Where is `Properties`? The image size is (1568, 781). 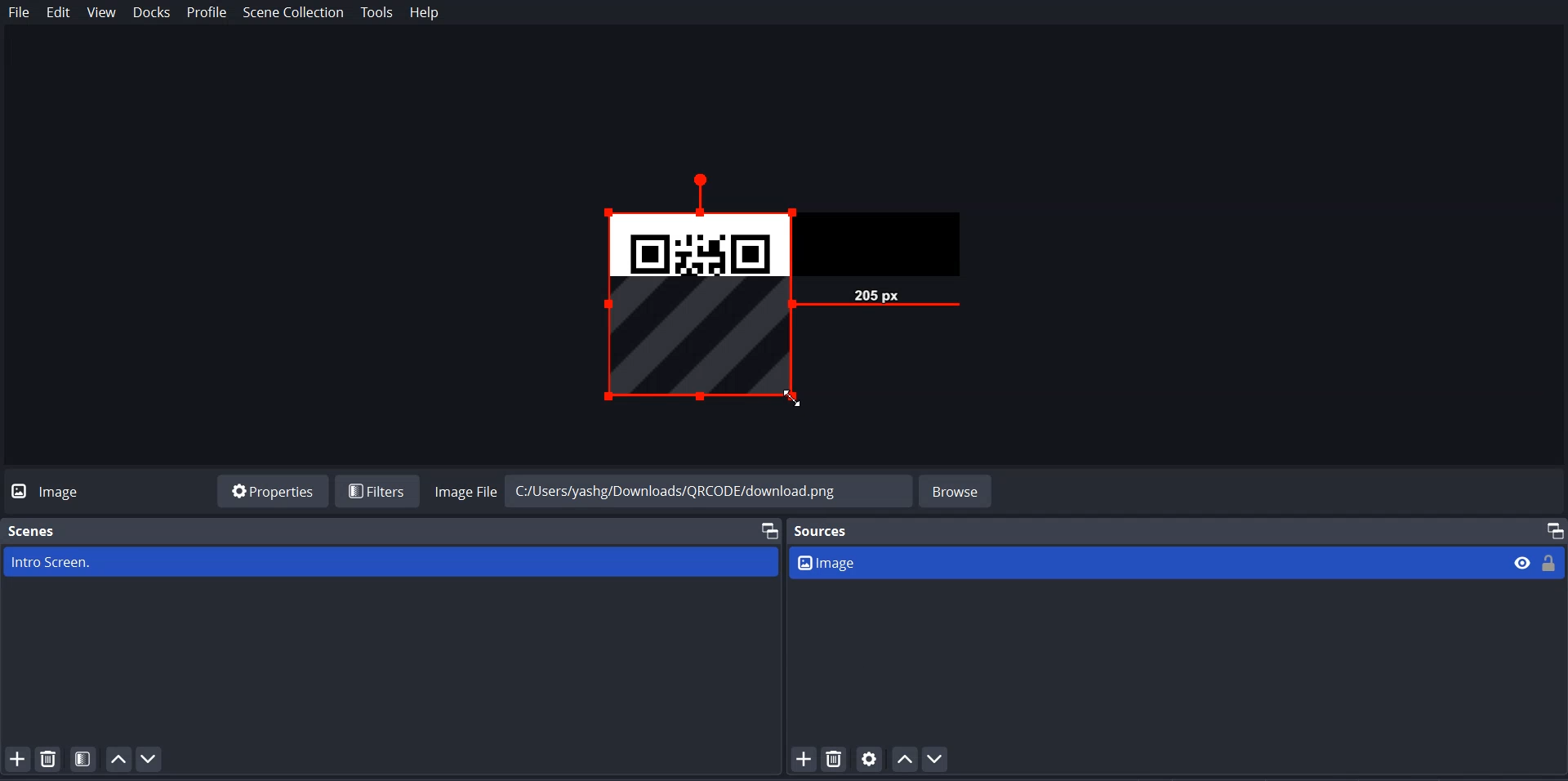 Properties is located at coordinates (273, 490).